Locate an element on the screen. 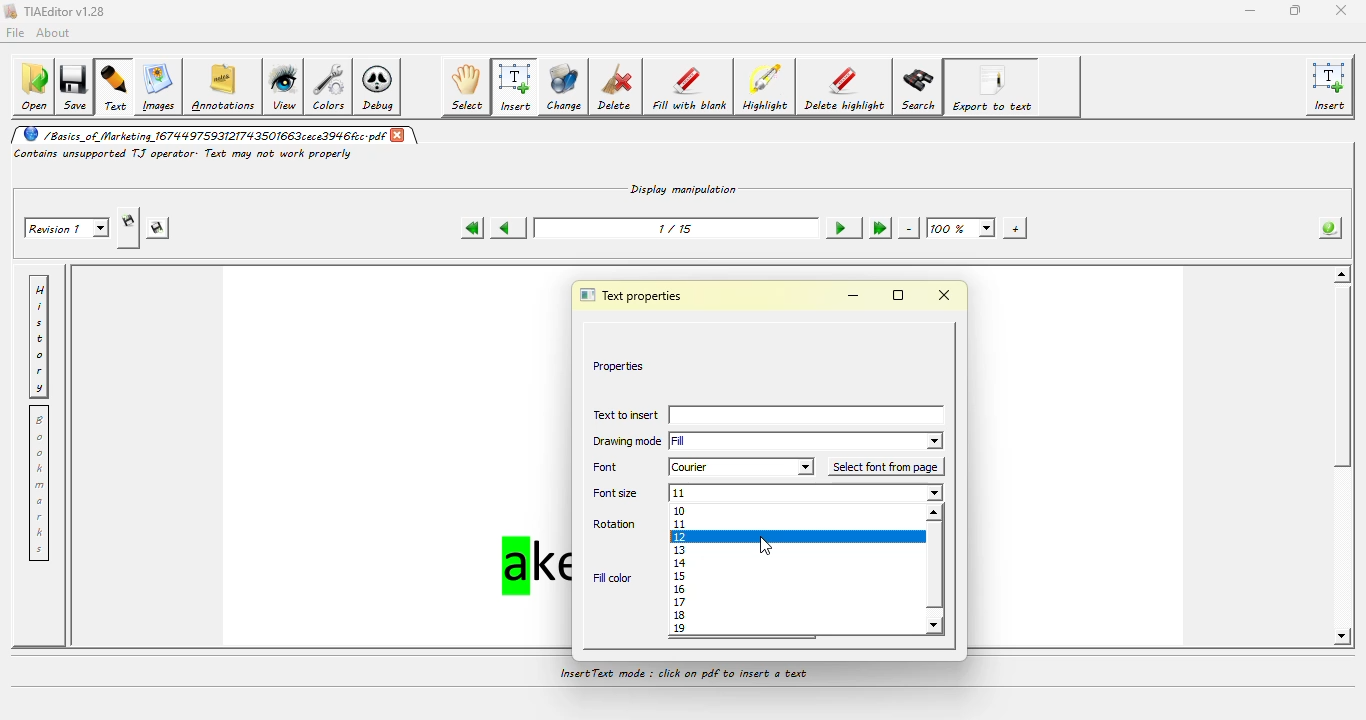  open is located at coordinates (33, 87).